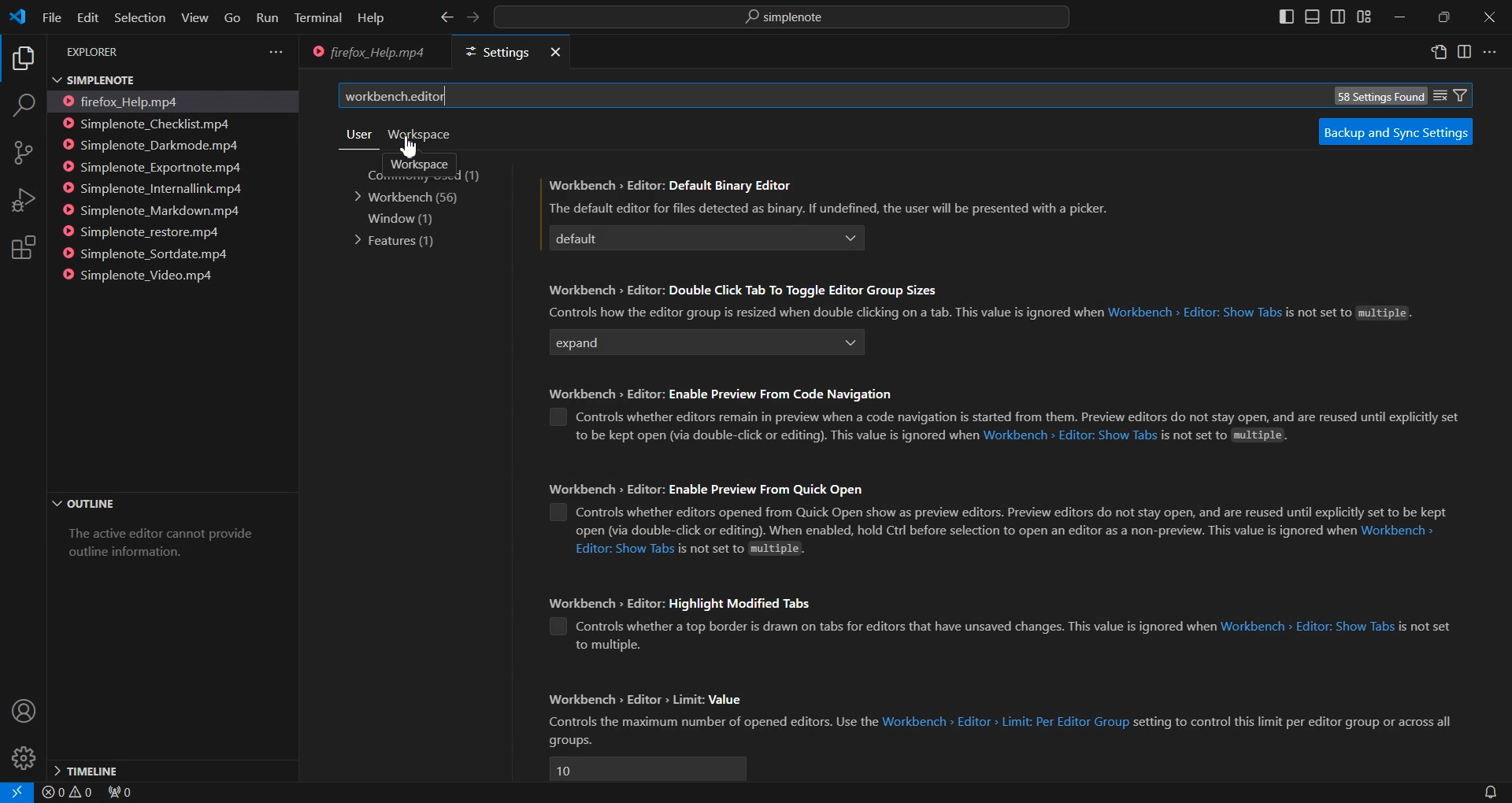 This screenshot has width=1512, height=803. I want to click on hyperlink file address, so click(1306, 627).